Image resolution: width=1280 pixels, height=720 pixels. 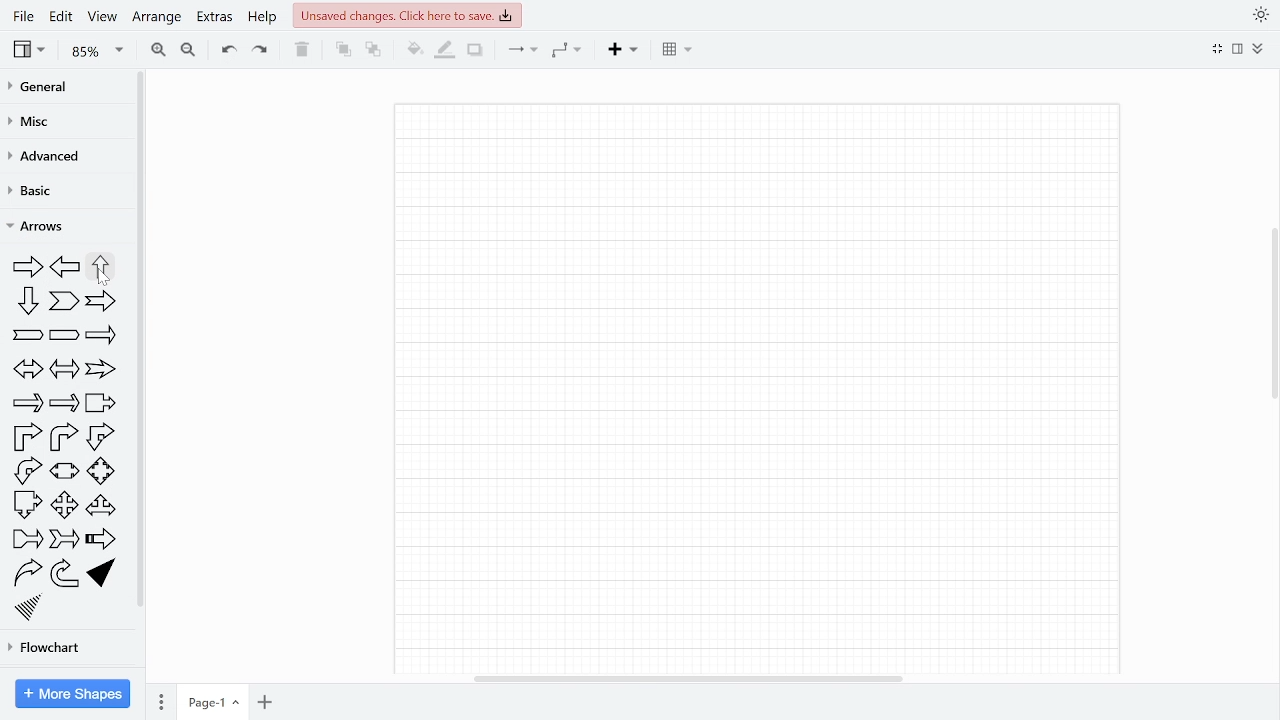 I want to click on Basic, so click(x=43, y=190).